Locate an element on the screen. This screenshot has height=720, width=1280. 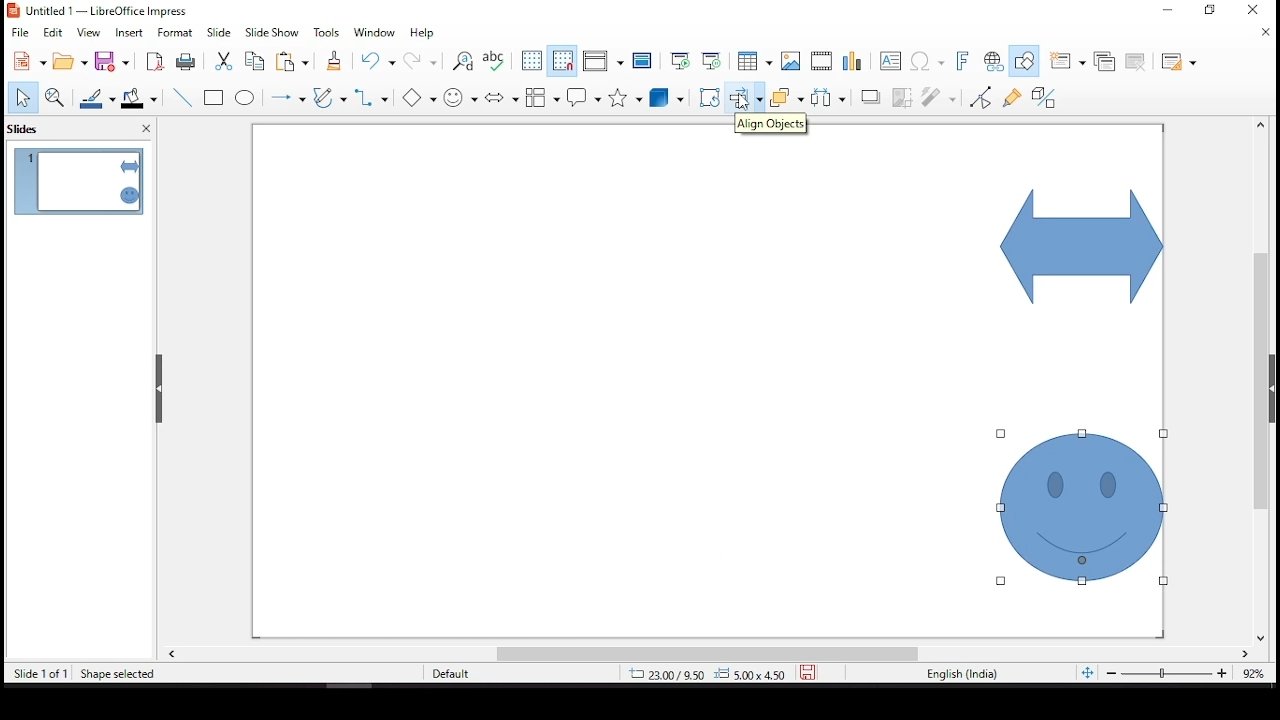
align objects is located at coordinates (774, 125).